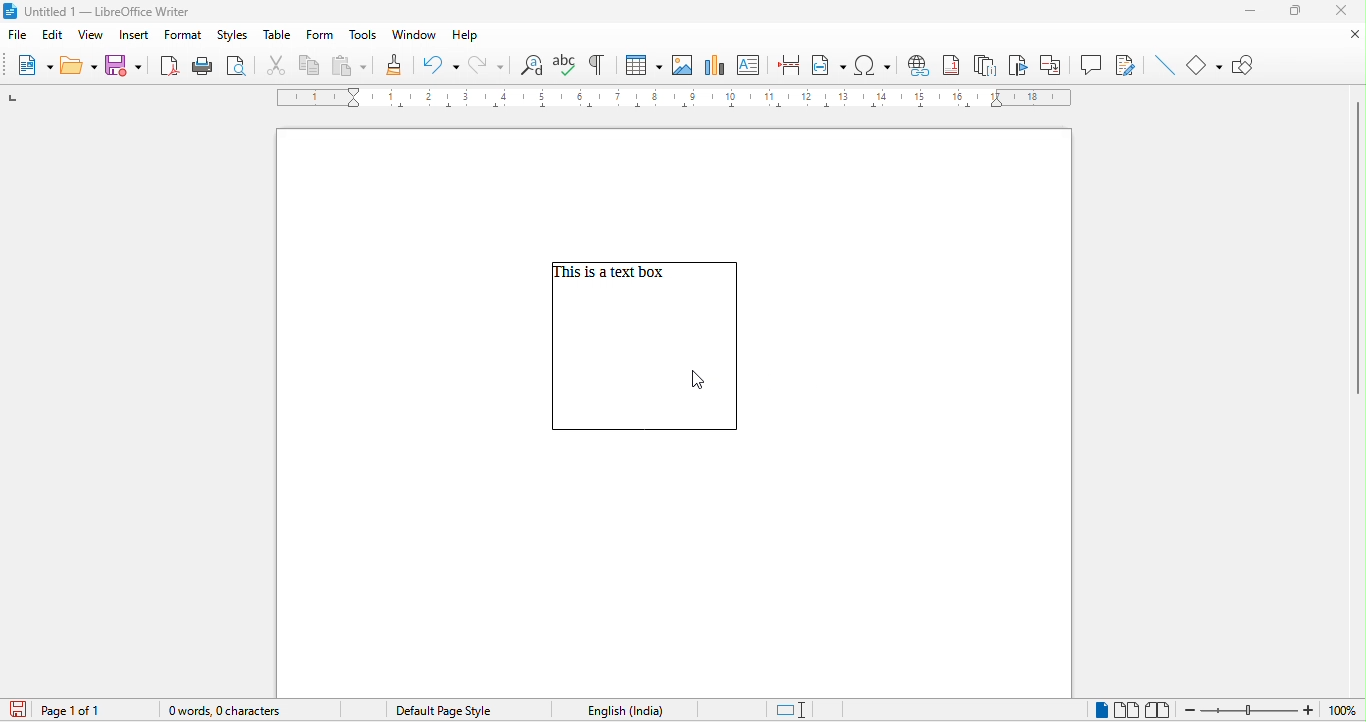 The height and width of the screenshot is (722, 1366). What do you see at coordinates (278, 66) in the screenshot?
I see `cut` at bounding box center [278, 66].